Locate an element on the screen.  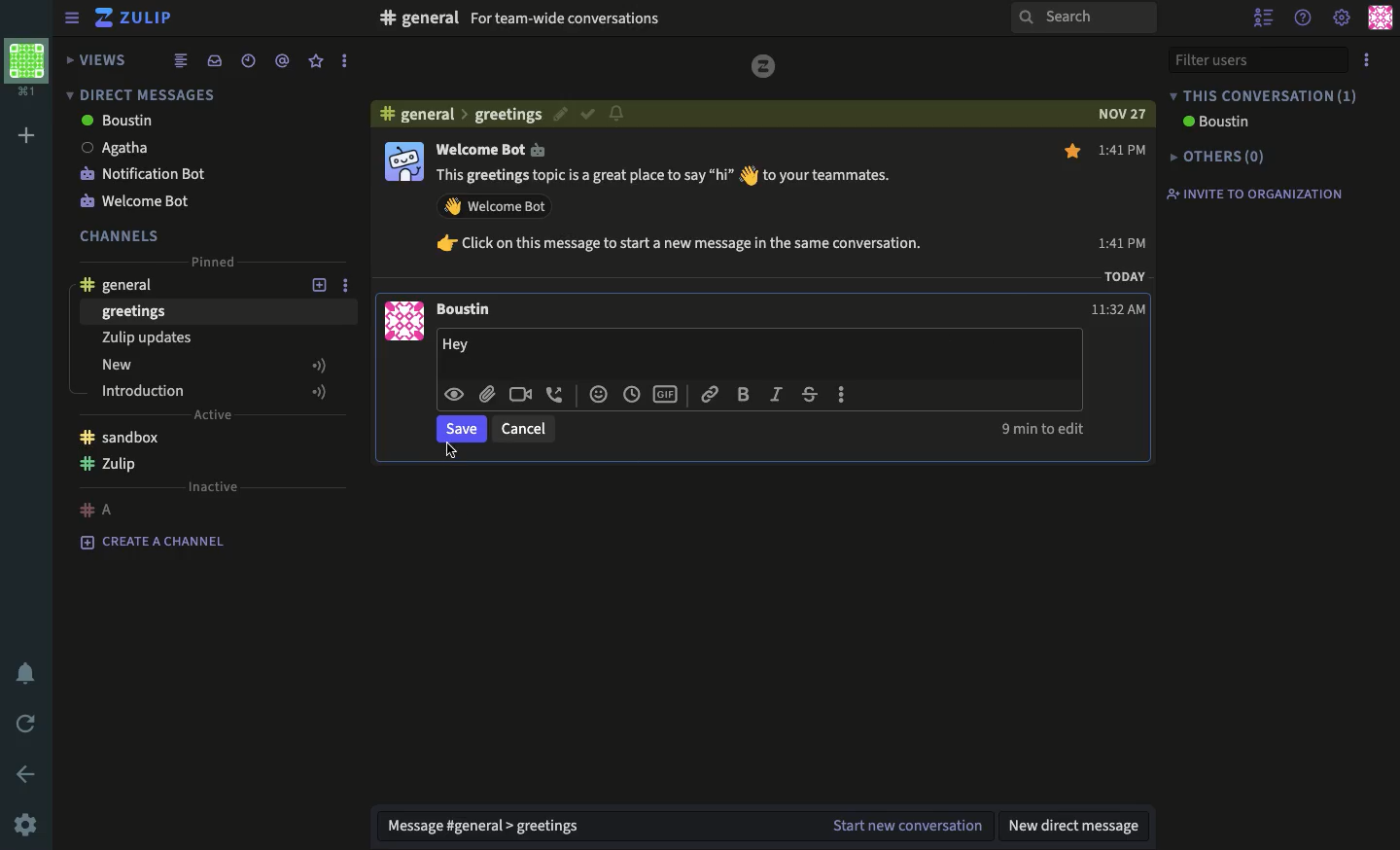
favorite is located at coordinates (1075, 154).